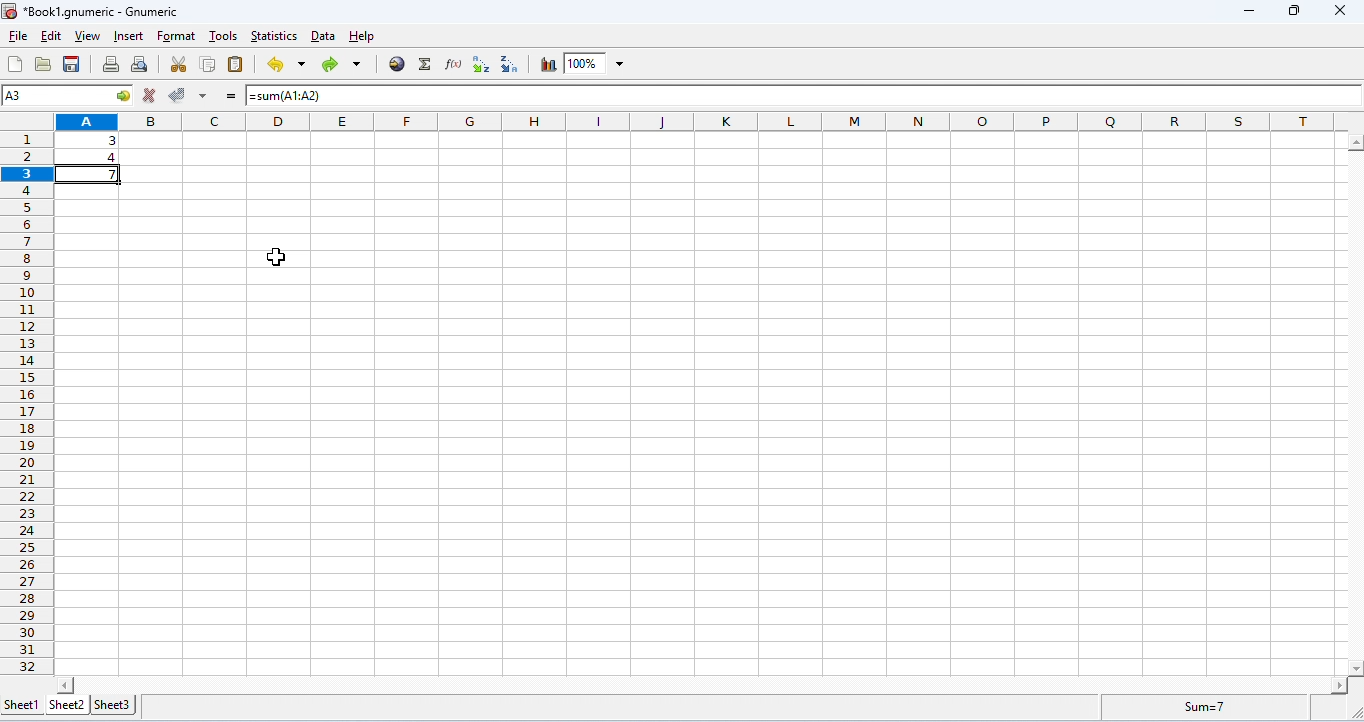 Image resolution: width=1364 pixels, height=722 pixels. Describe the element at coordinates (19, 36) in the screenshot. I see `file` at that location.